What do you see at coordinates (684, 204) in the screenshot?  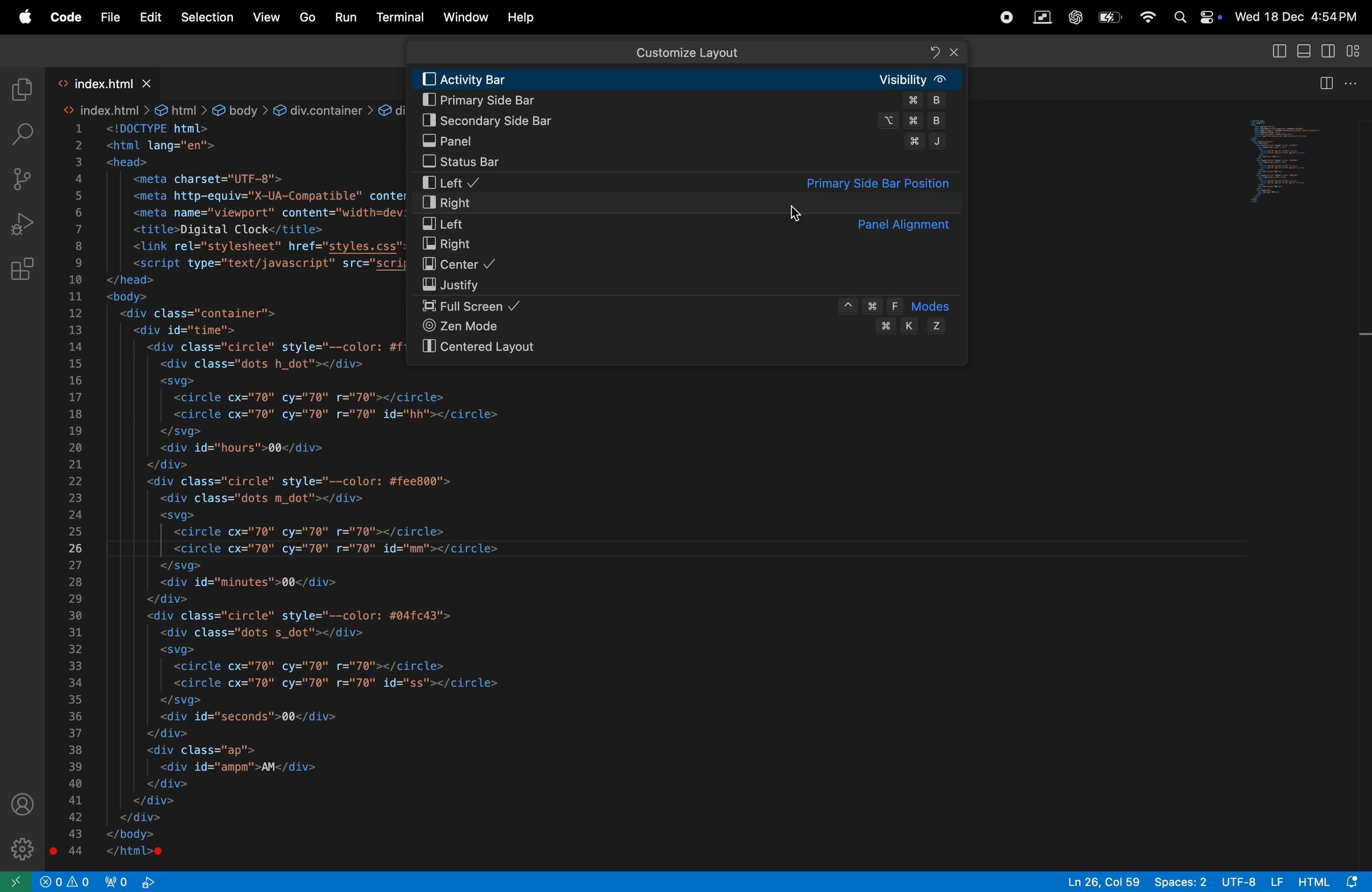 I see `Right ` at bounding box center [684, 204].